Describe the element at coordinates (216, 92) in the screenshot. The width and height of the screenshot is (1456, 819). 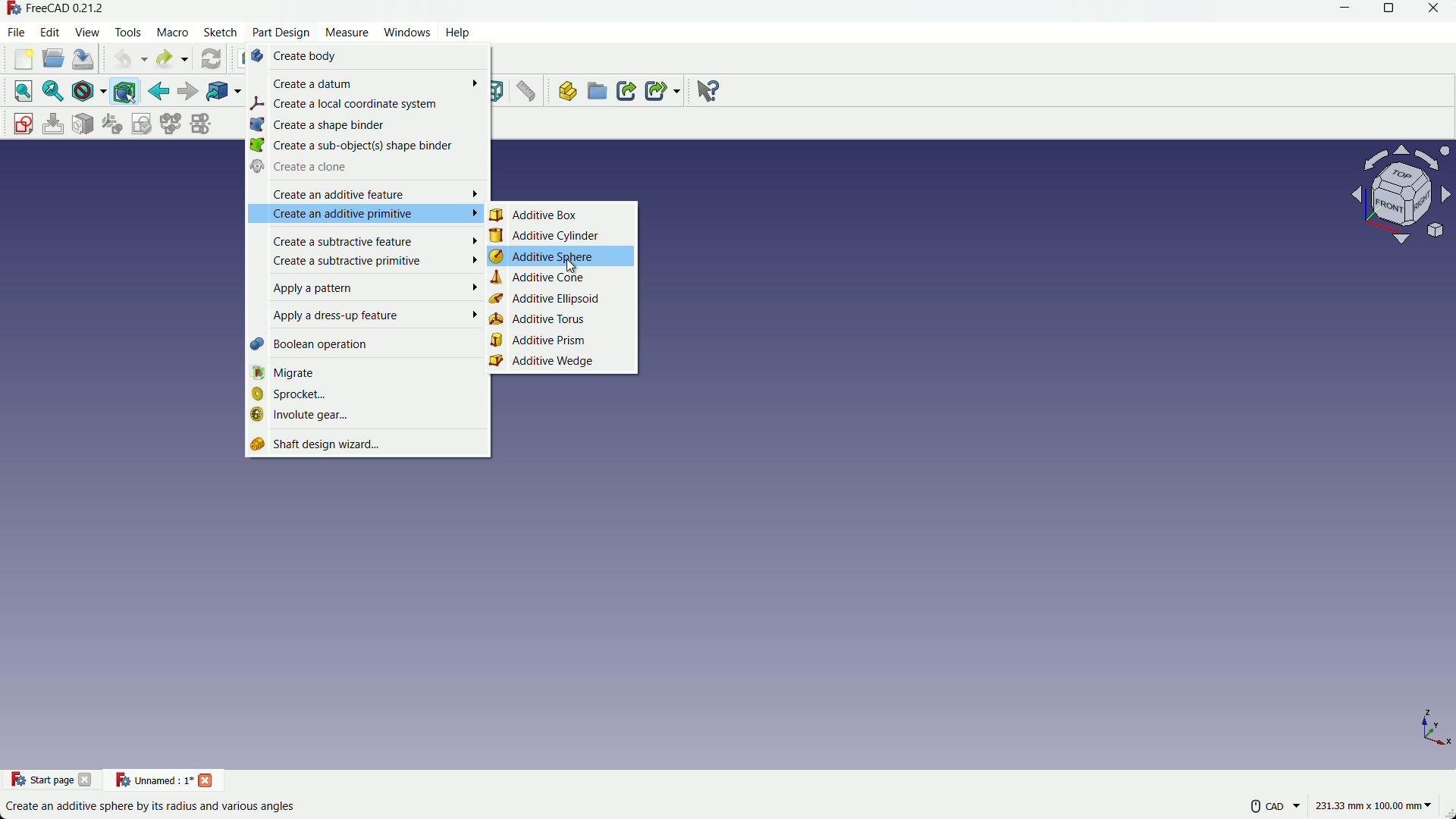
I see `link object` at that location.